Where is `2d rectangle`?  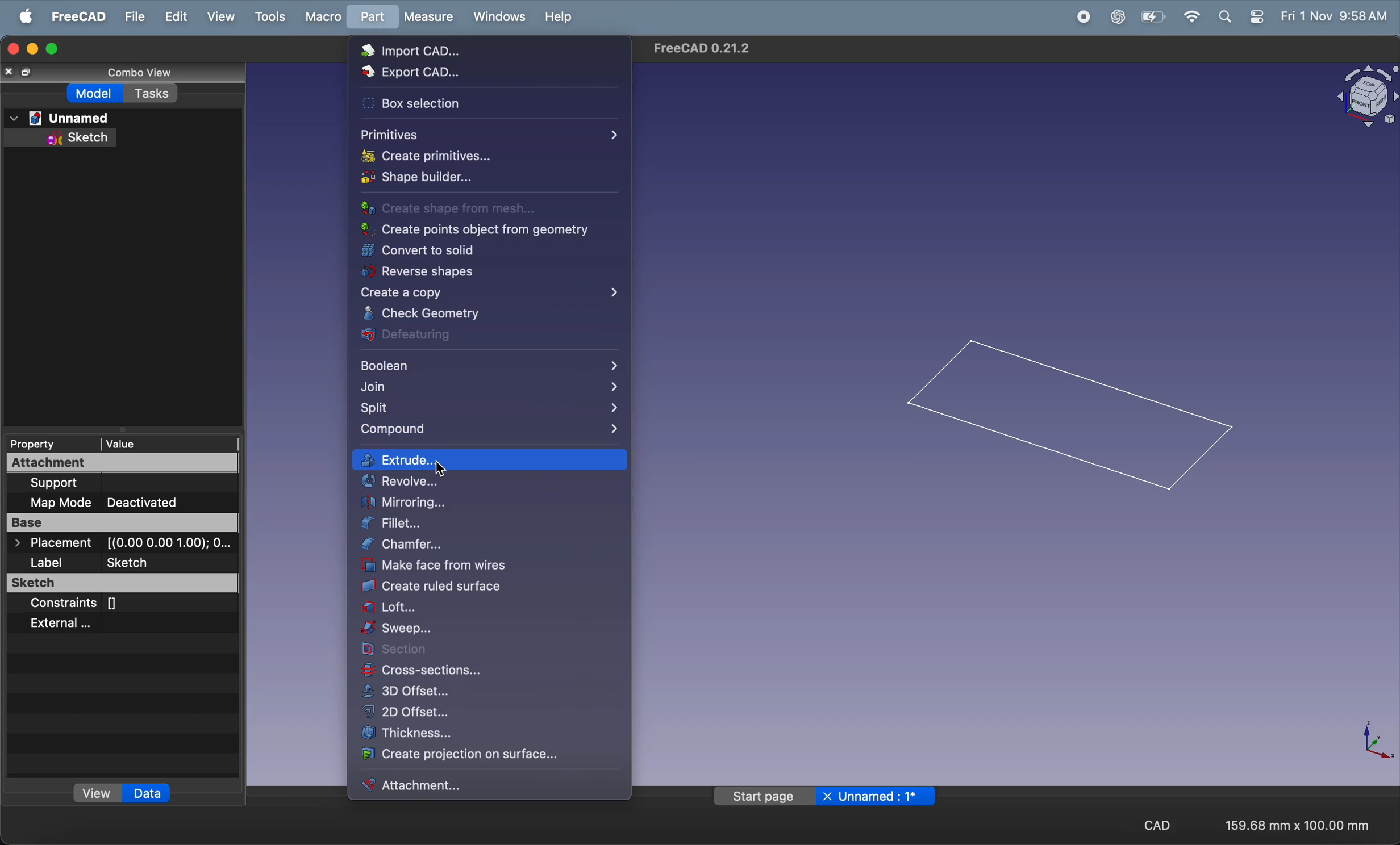
2d rectangle is located at coordinates (1067, 414).